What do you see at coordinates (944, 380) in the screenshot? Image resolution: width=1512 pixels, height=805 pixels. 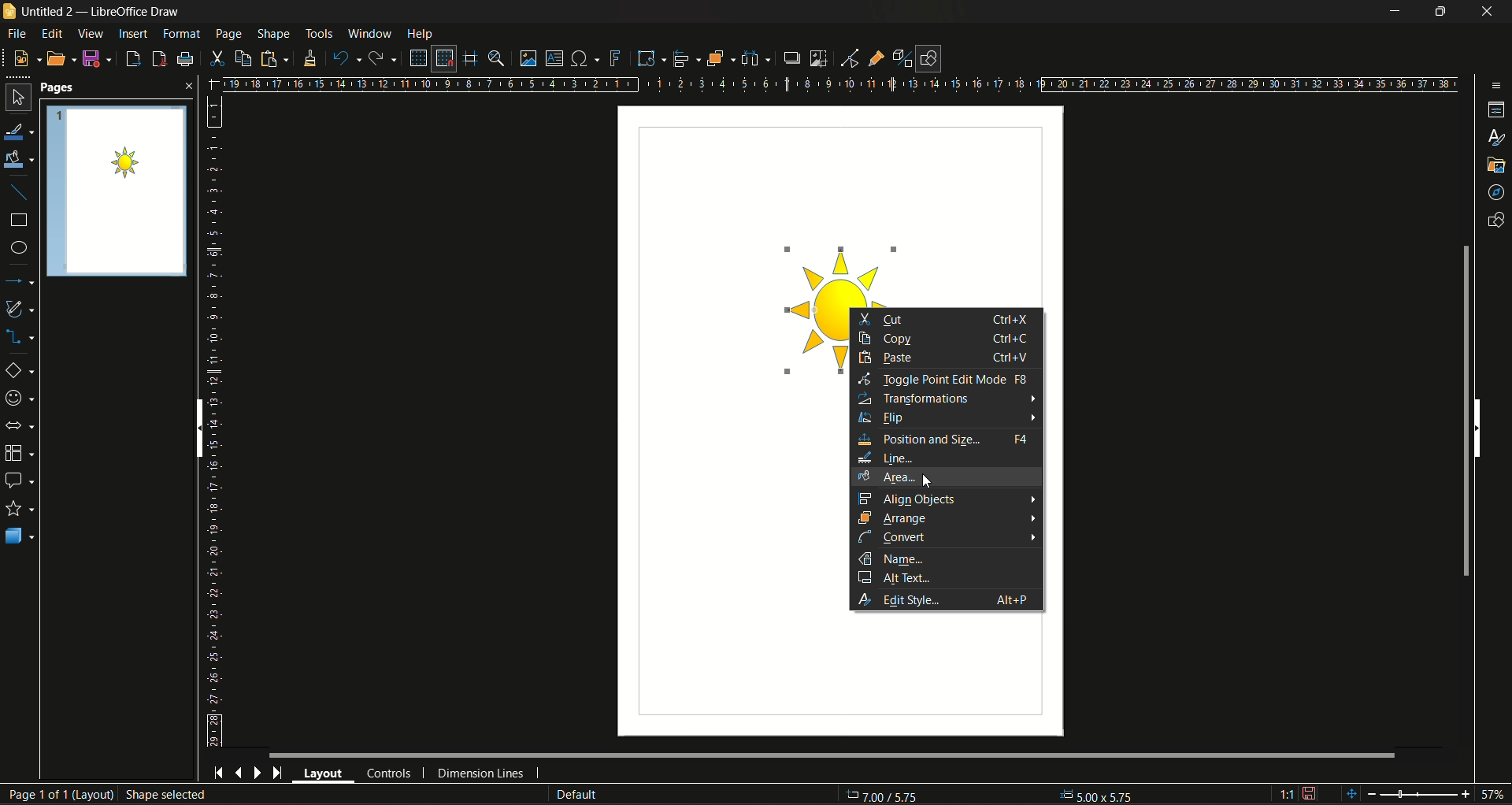 I see `toggle point edit mode` at bounding box center [944, 380].